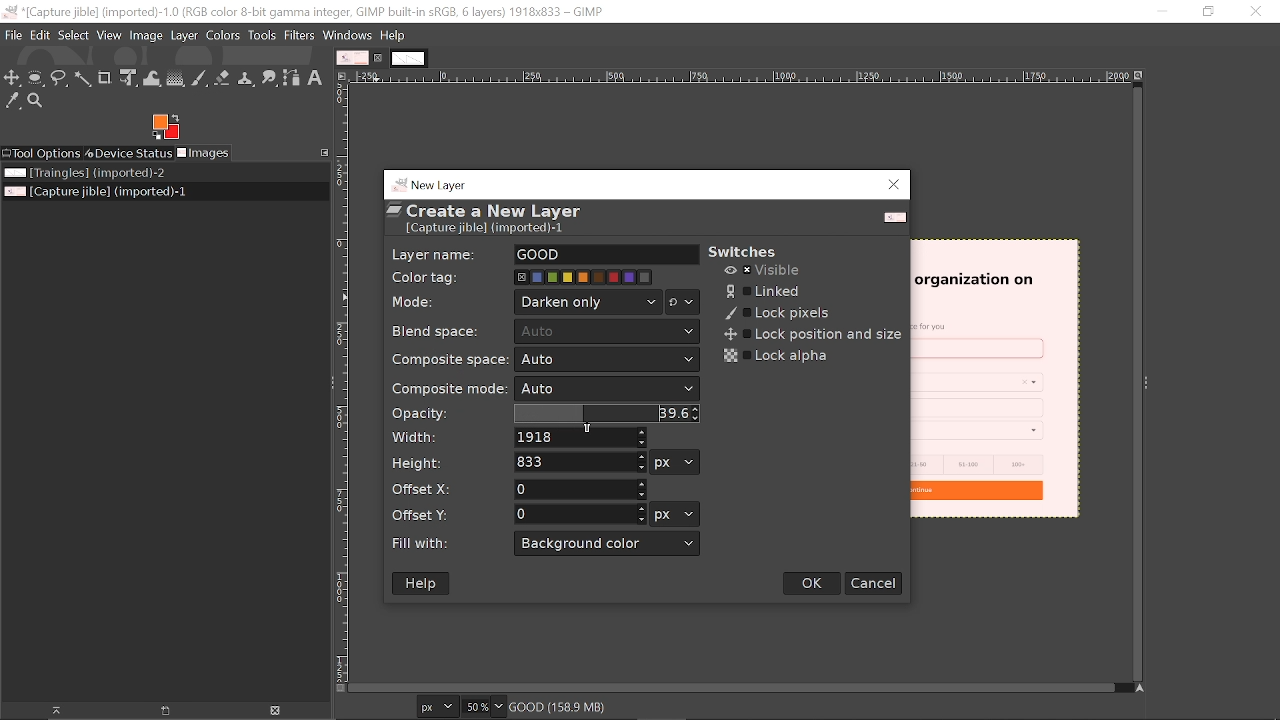 Image resolution: width=1280 pixels, height=720 pixels. What do you see at coordinates (431, 275) in the screenshot?
I see `Color tag:` at bounding box center [431, 275].